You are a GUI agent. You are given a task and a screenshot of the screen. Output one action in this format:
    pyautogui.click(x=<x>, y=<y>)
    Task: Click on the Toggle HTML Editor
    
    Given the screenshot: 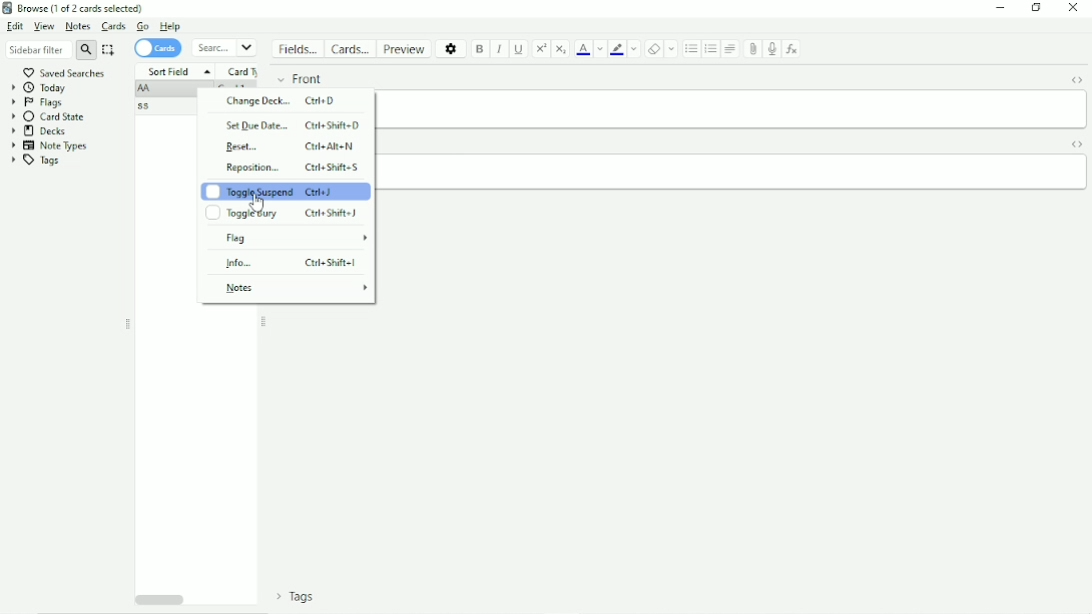 What is the action you would take?
    pyautogui.click(x=1078, y=80)
    